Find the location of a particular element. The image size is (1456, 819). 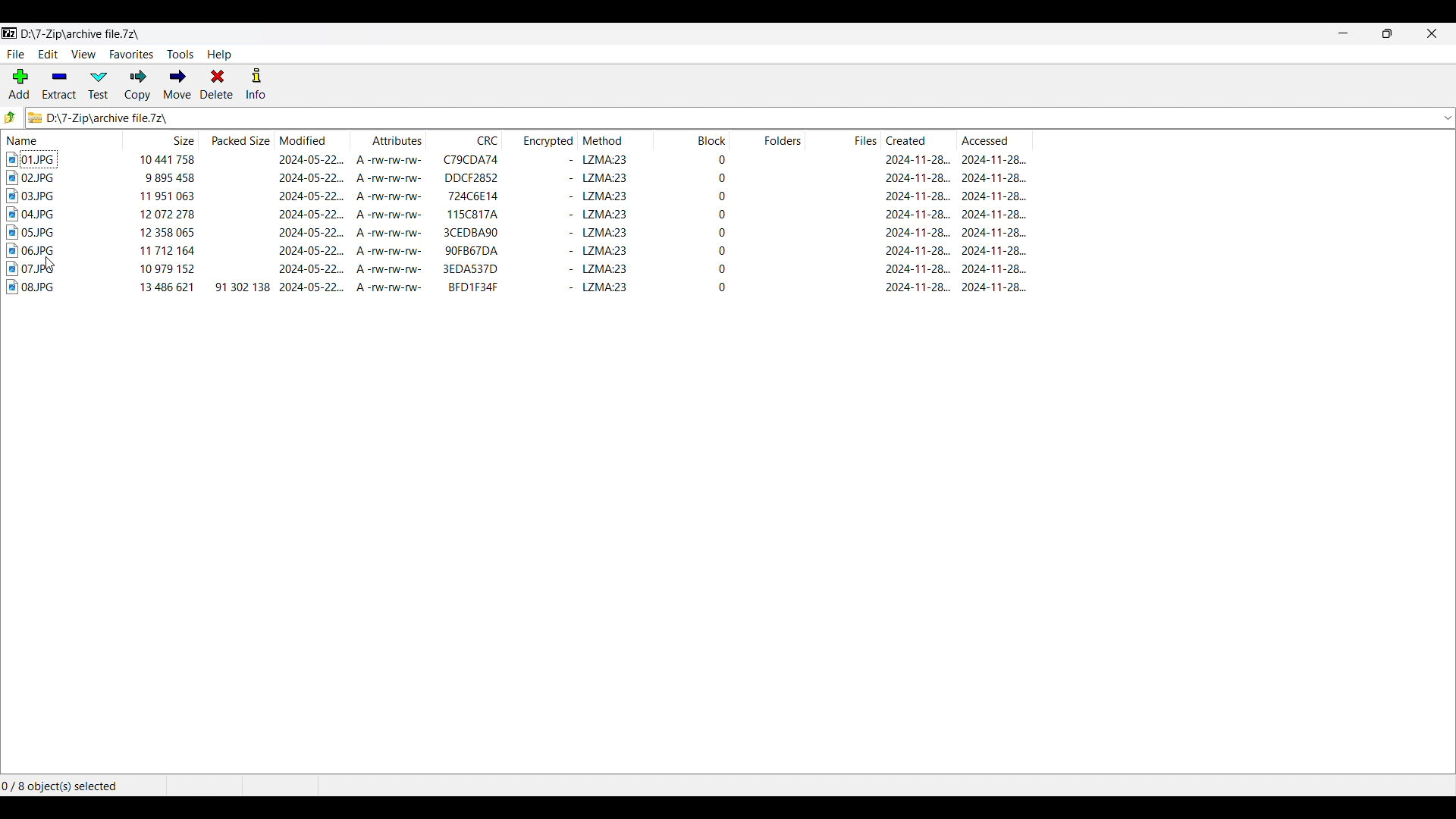

CRC is located at coordinates (471, 159).